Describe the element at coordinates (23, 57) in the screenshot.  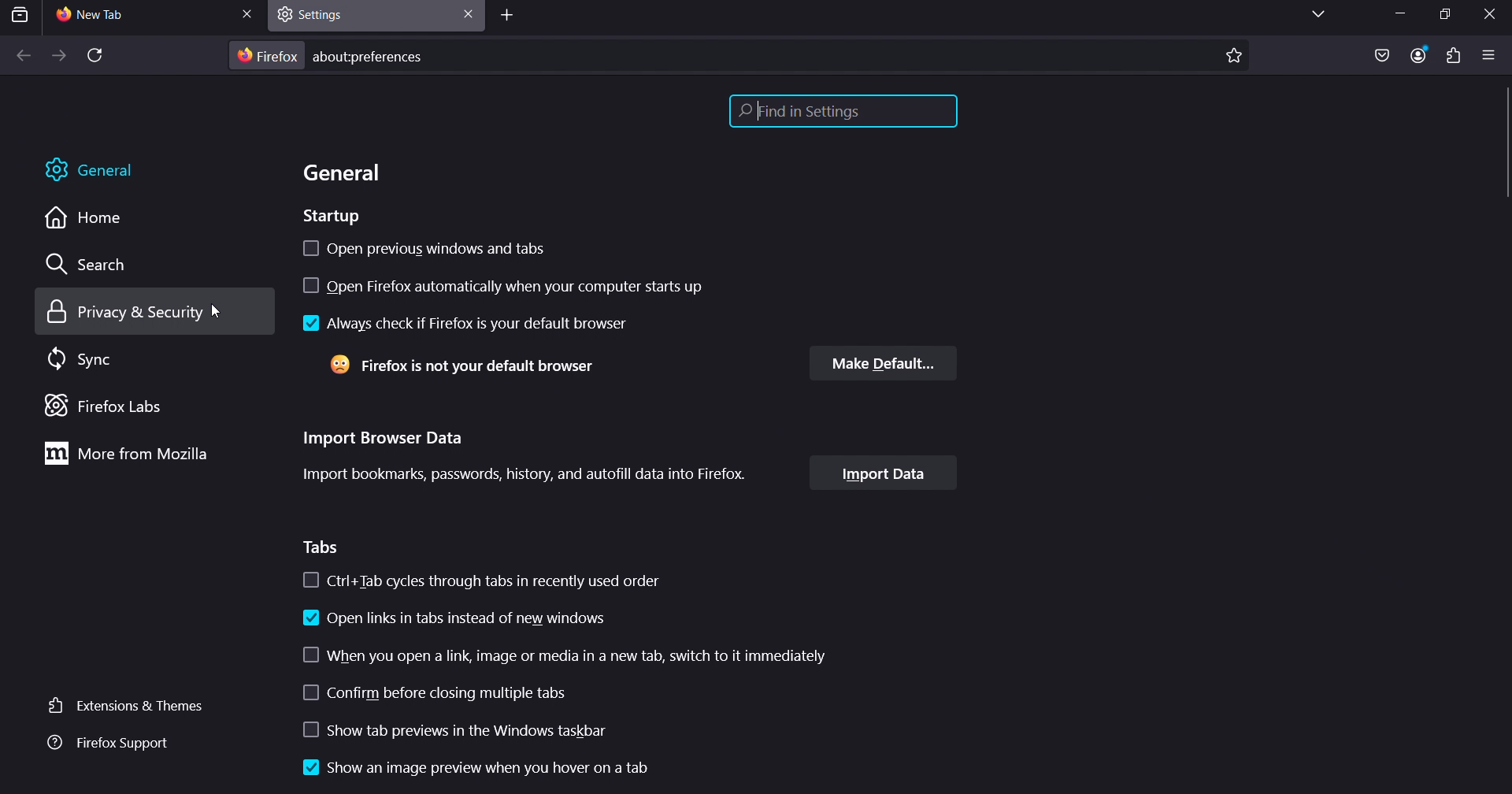
I see `back one page` at that location.